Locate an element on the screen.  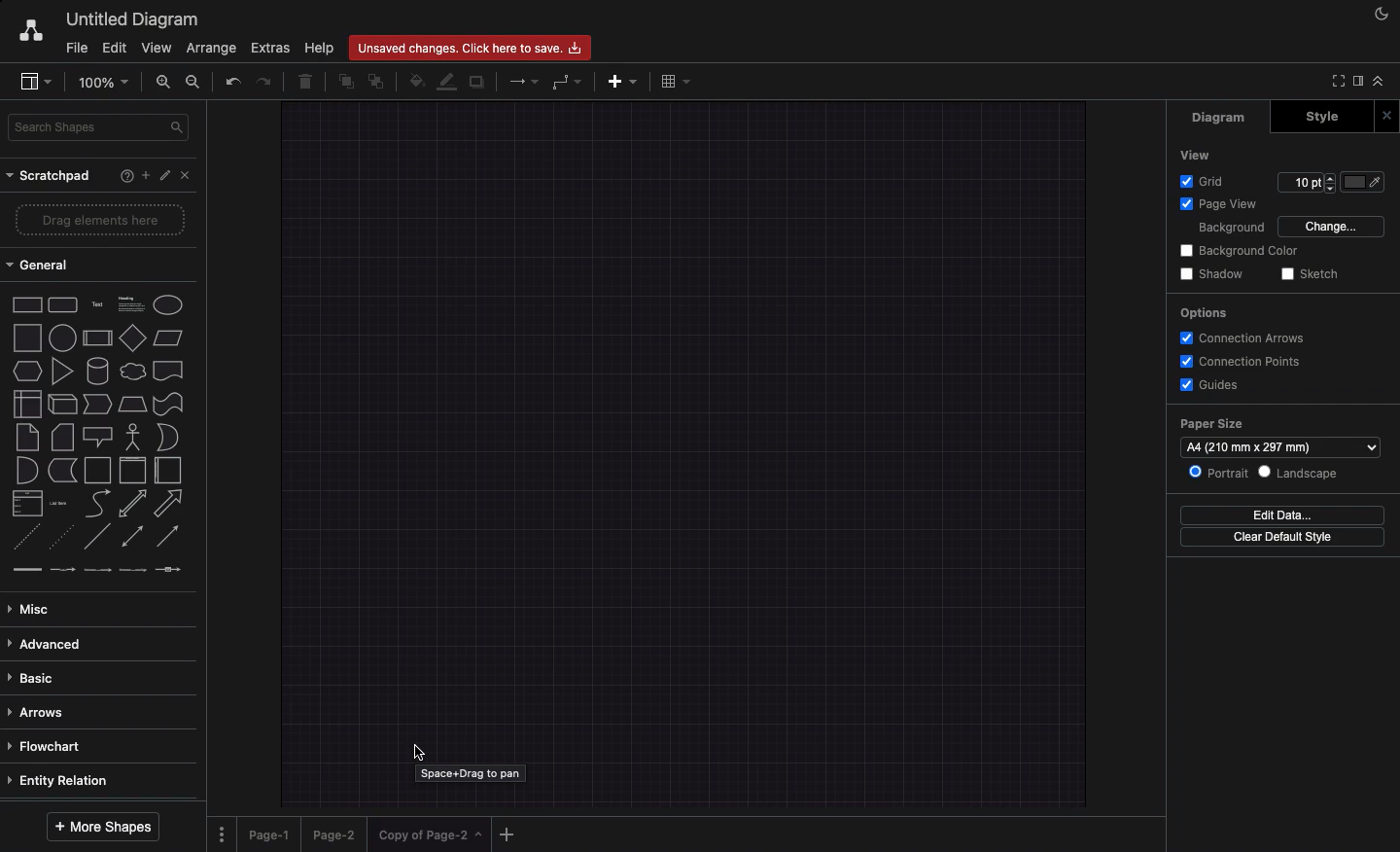
Extras is located at coordinates (269, 49).